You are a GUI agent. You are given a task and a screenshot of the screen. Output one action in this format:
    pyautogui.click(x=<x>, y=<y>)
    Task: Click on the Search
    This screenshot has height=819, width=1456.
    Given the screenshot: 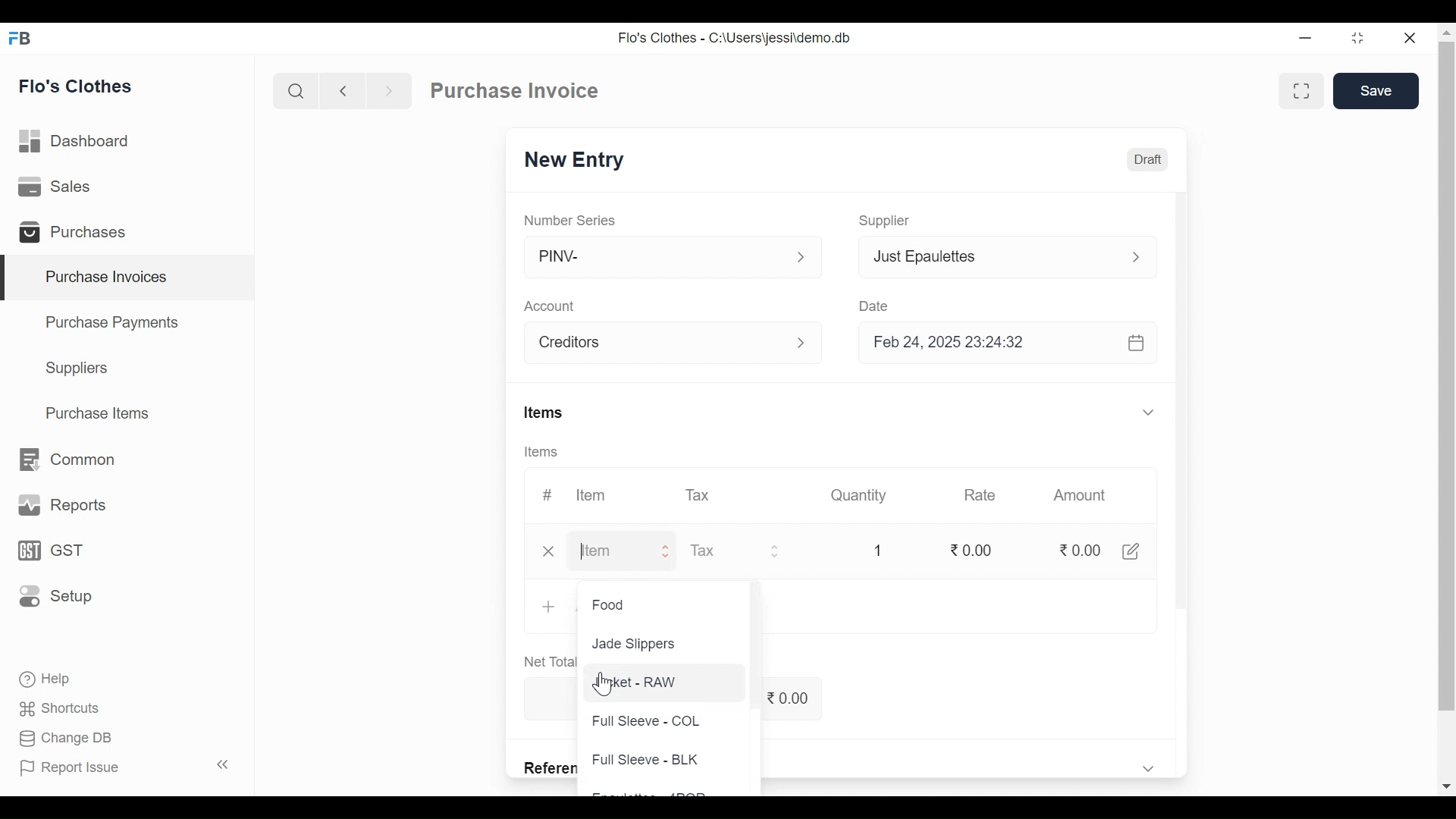 What is the action you would take?
    pyautogui.click(x=297, y=90)
    